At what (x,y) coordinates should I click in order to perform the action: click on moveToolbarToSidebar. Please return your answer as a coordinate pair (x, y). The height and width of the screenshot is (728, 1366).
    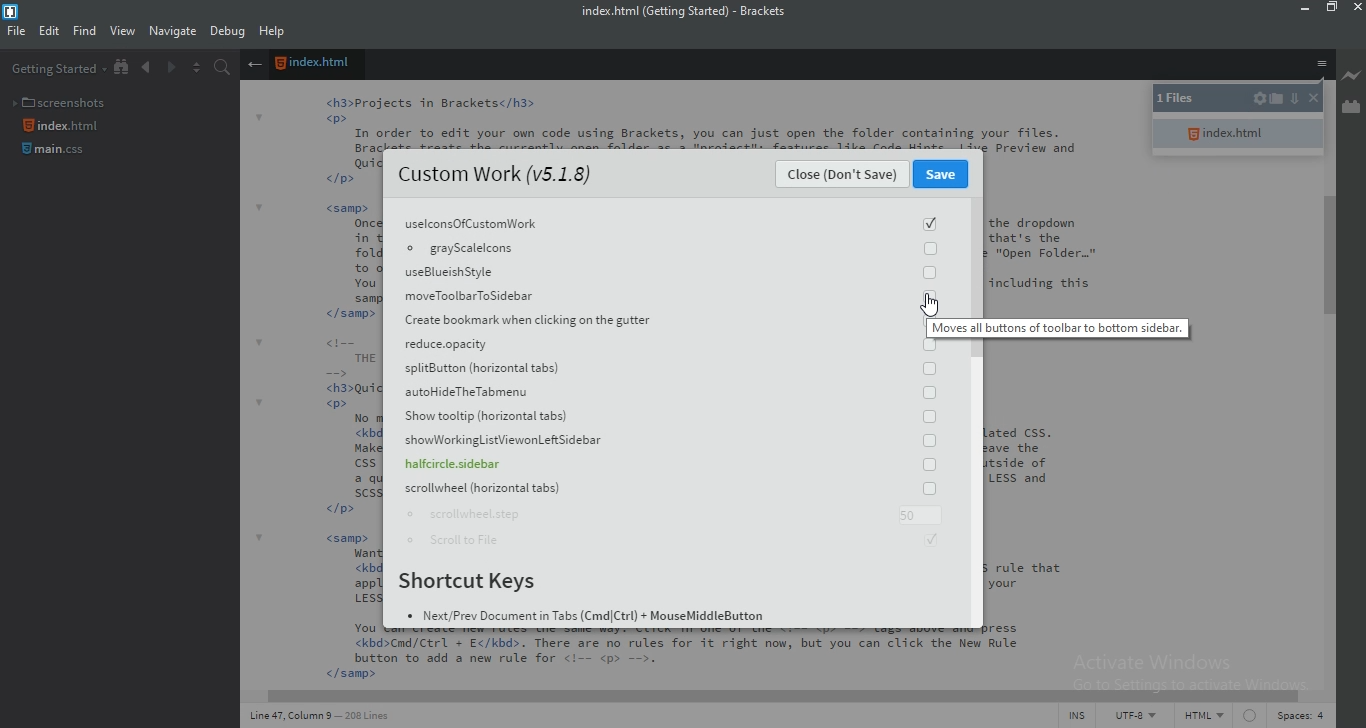
    Looking at the image, I should click on (670, 295).